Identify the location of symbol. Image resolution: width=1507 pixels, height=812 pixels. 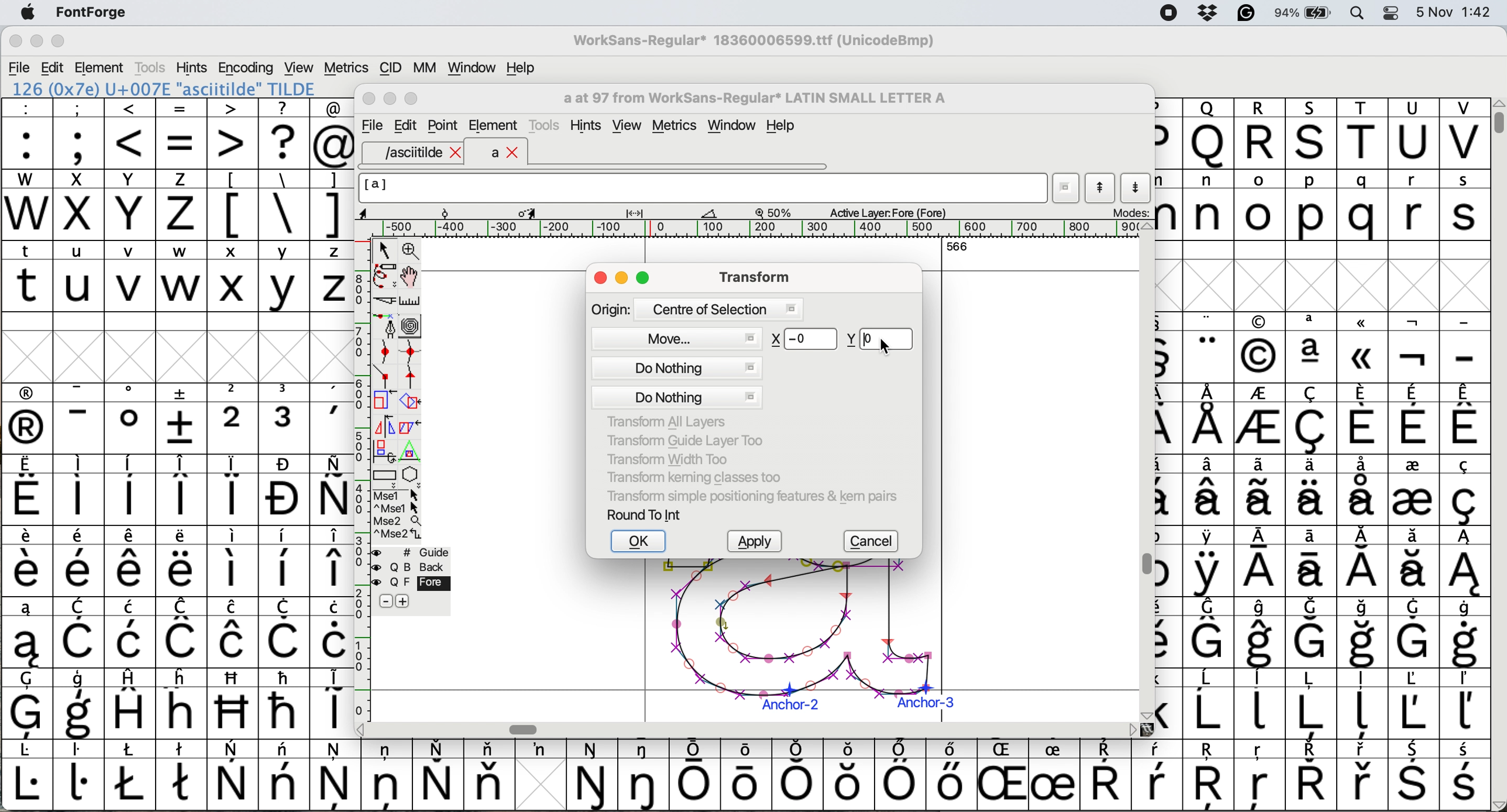
(1466, 418).